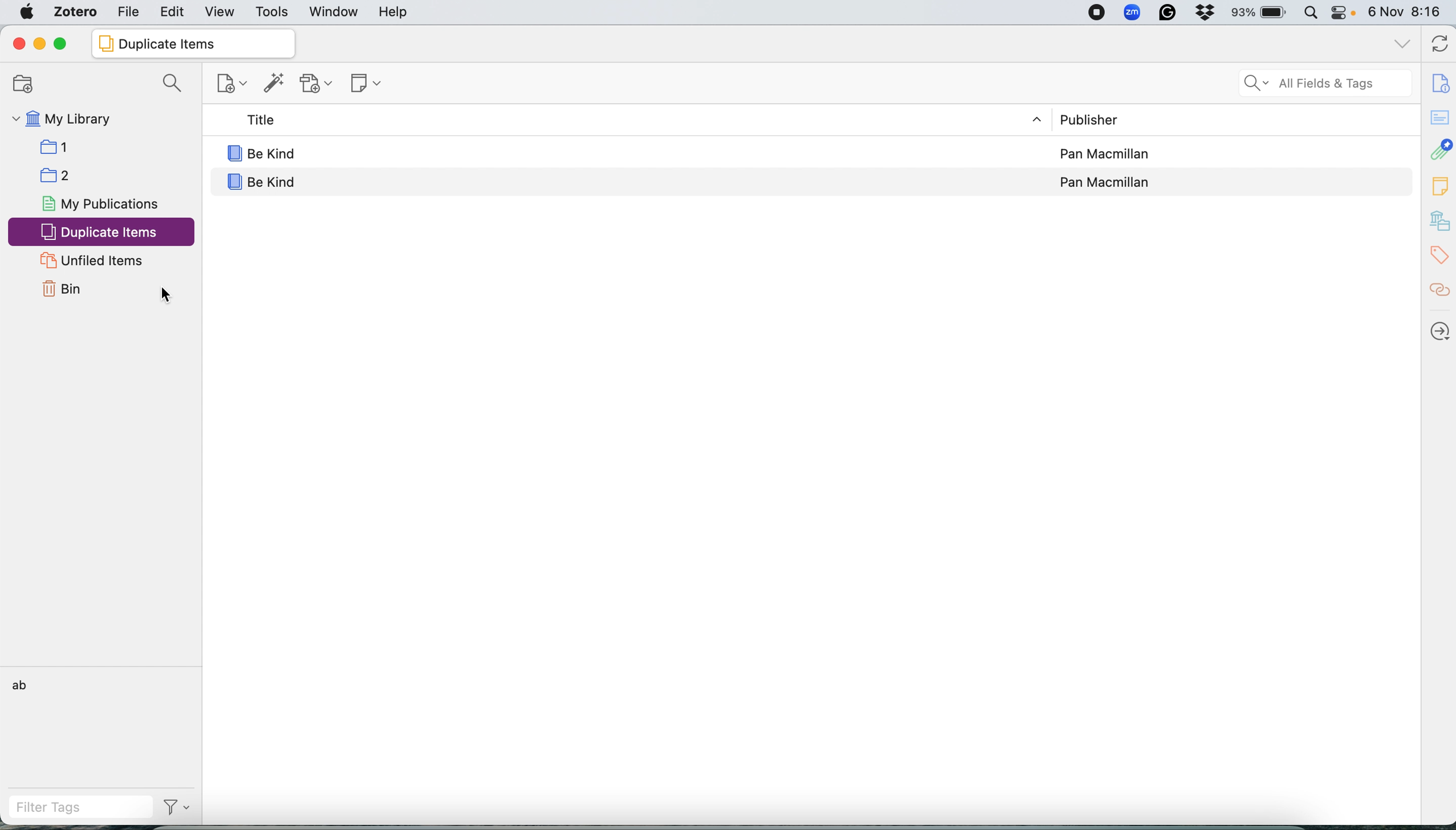  Describe the element at coordinates (1208, 13) in the screenshot. I see `drop box` at that location.